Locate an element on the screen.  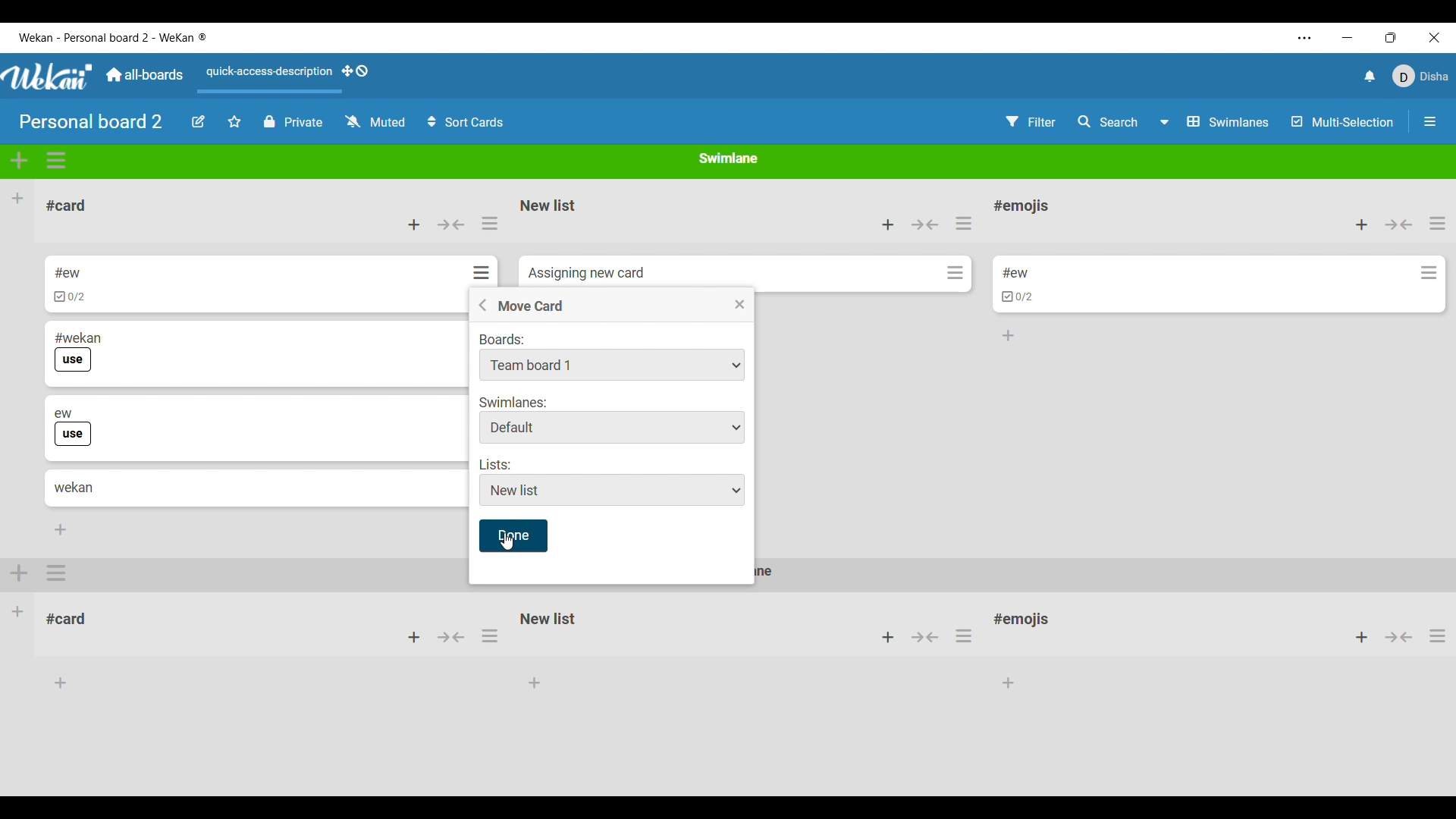
Add card to bottom of list is located at coordinates (1009, 336).